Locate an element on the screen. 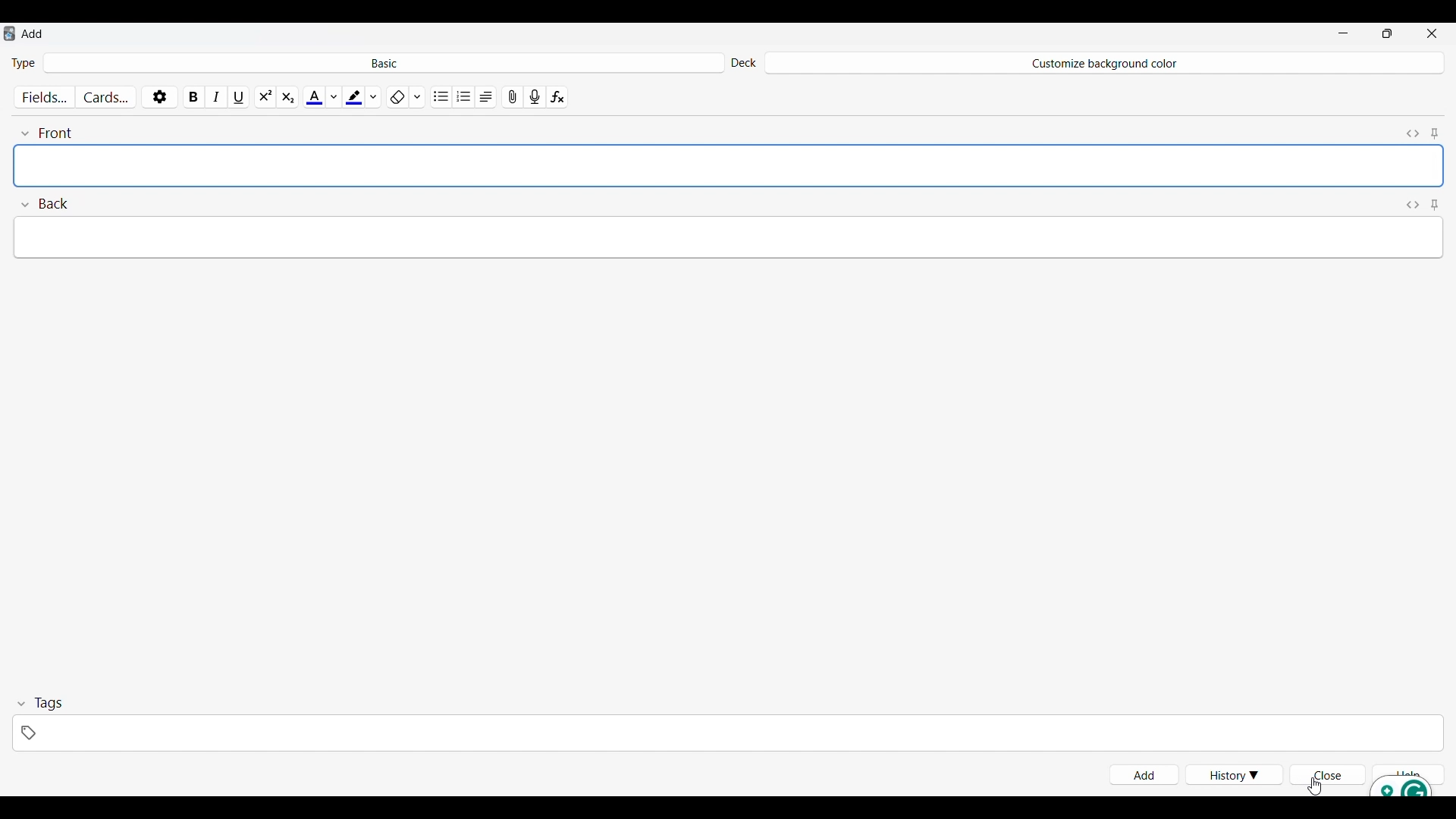 Image resolution: width=1456 pixels, height=819 pixels. Attach pictures/audio/video is located at coordinates (513, 95).